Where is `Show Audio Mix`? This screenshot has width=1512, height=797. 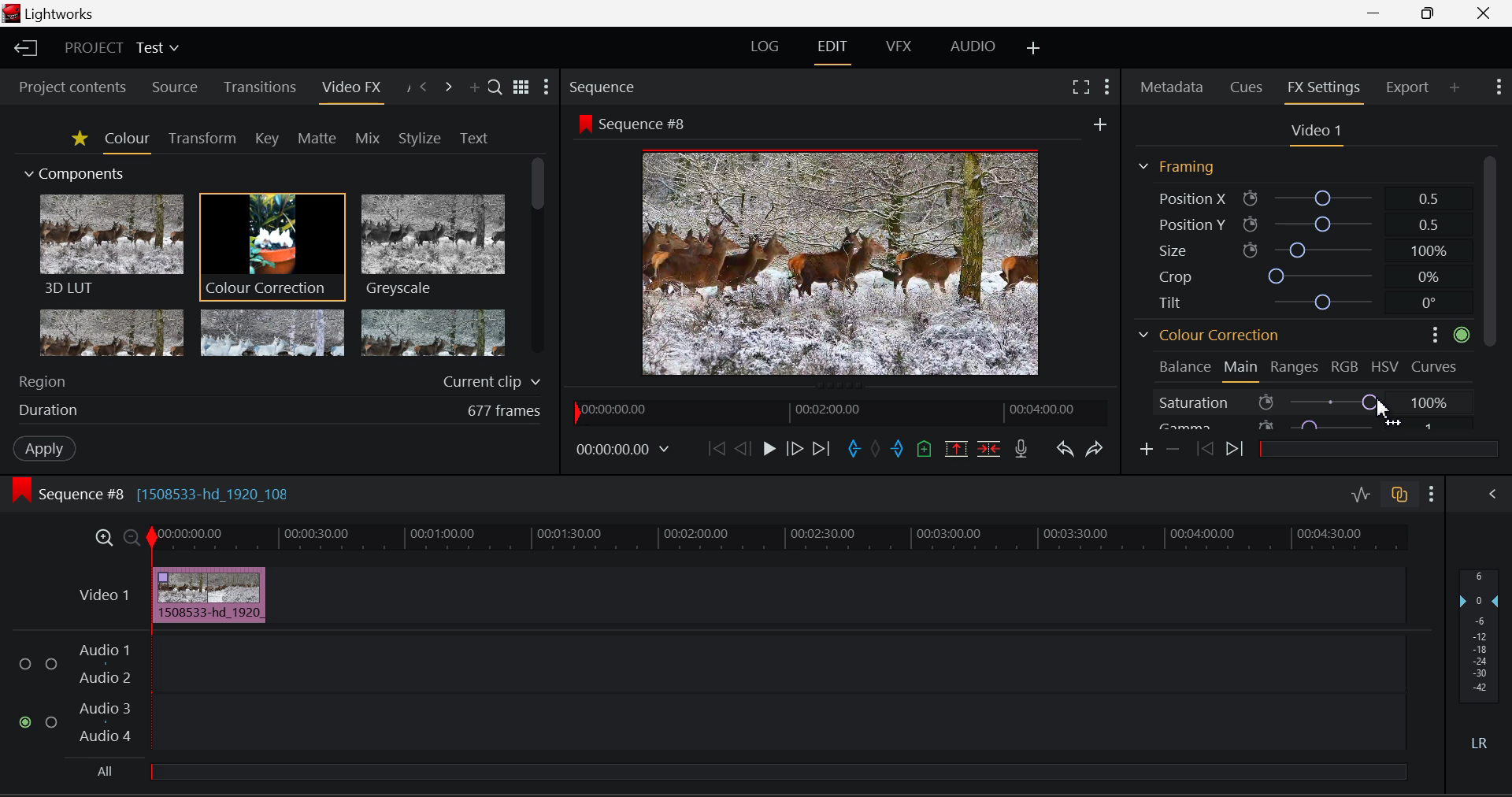
Show Audio Mix is located at coordinates (1492, 494).